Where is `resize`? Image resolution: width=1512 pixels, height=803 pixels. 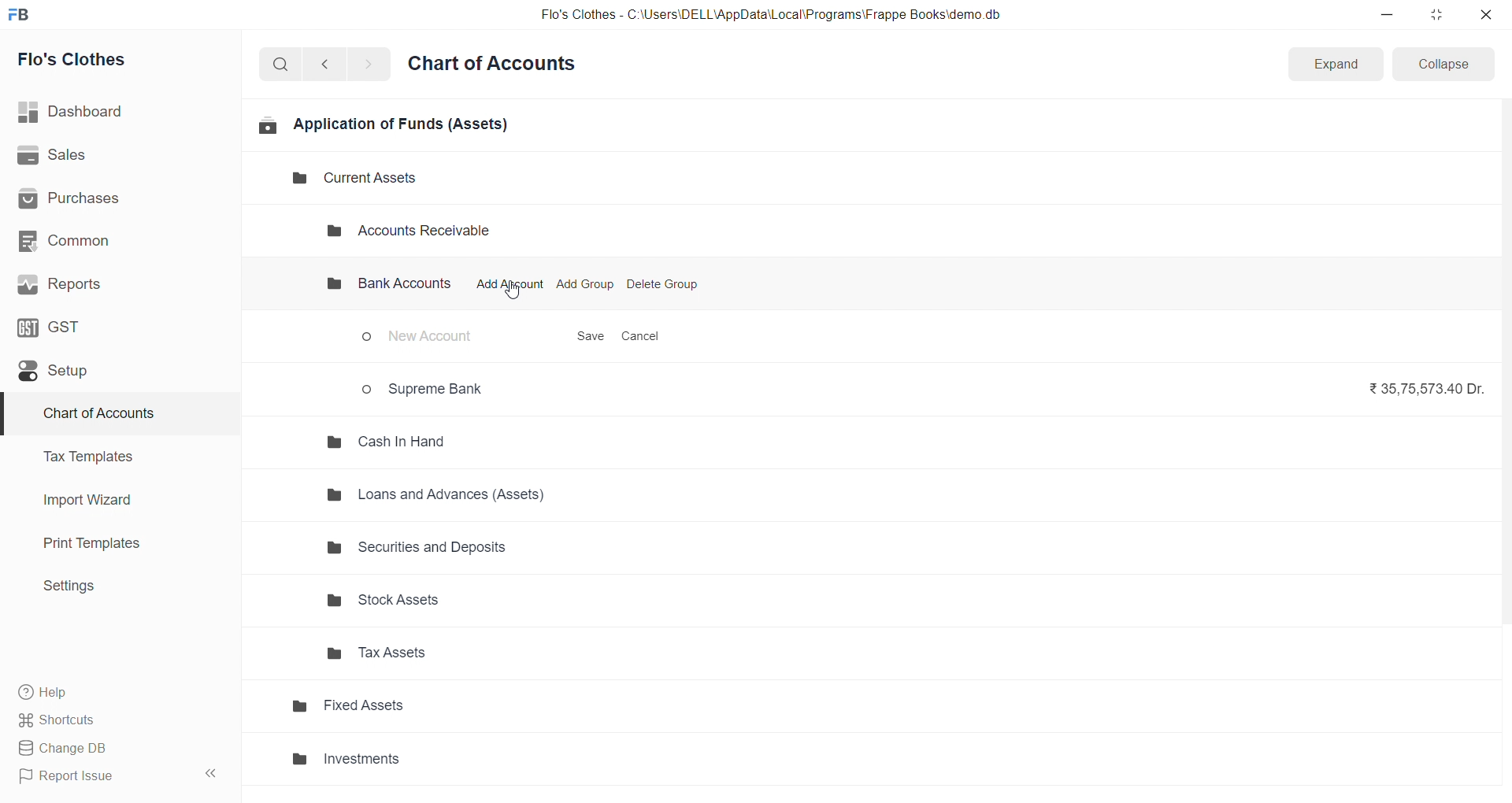 resize is located at coordinates (1436, 14).